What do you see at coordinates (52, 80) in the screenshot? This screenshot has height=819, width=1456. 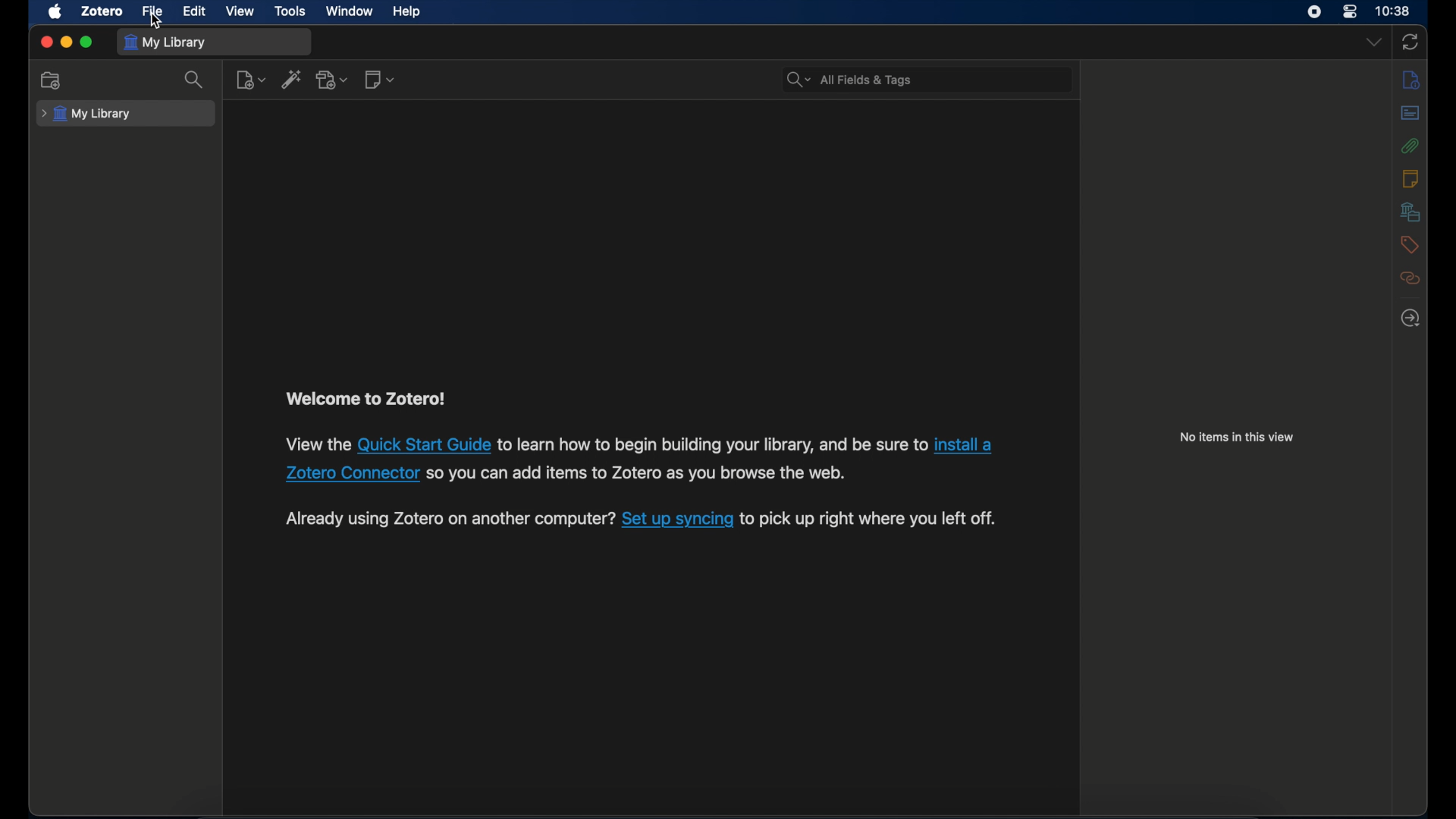 I see `new collection` at bounding box center [52, 80].